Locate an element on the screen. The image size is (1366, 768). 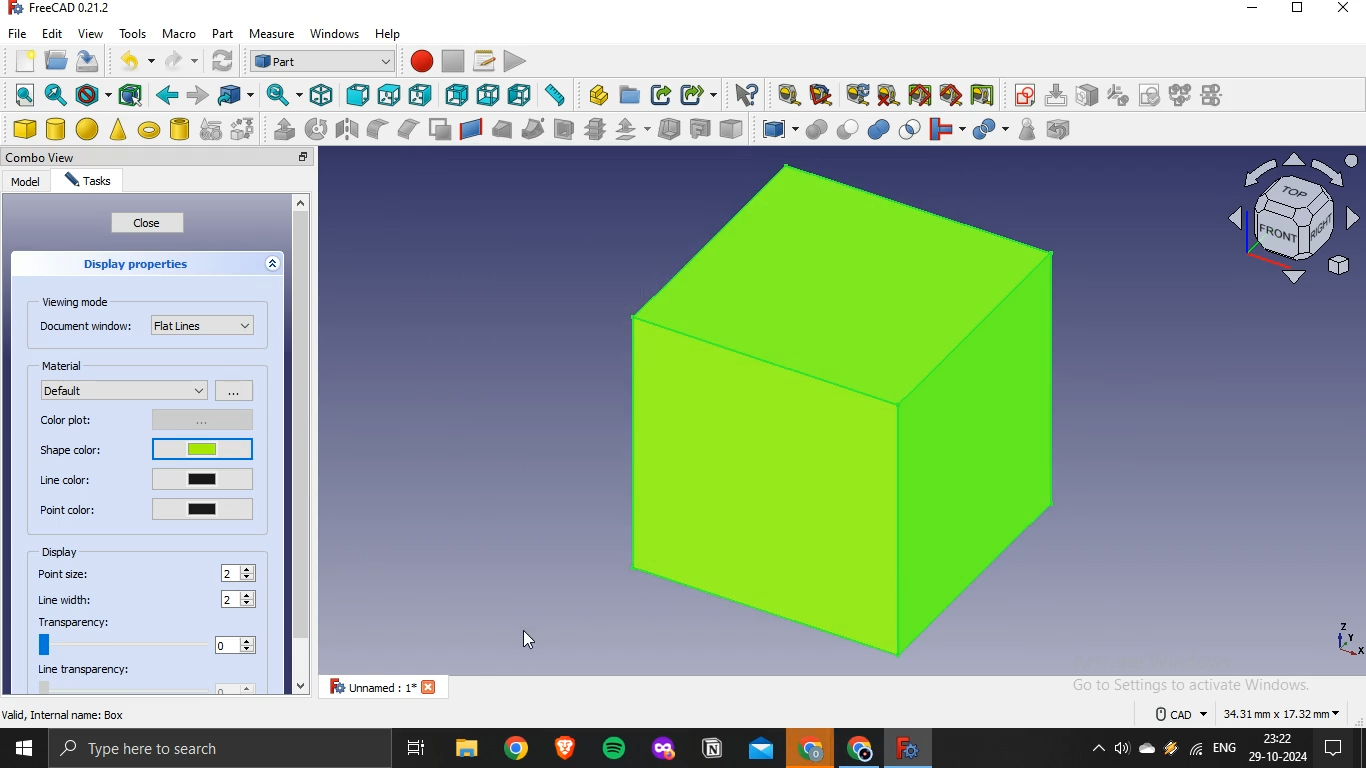
bounding box is located at coordinates (131, 95).